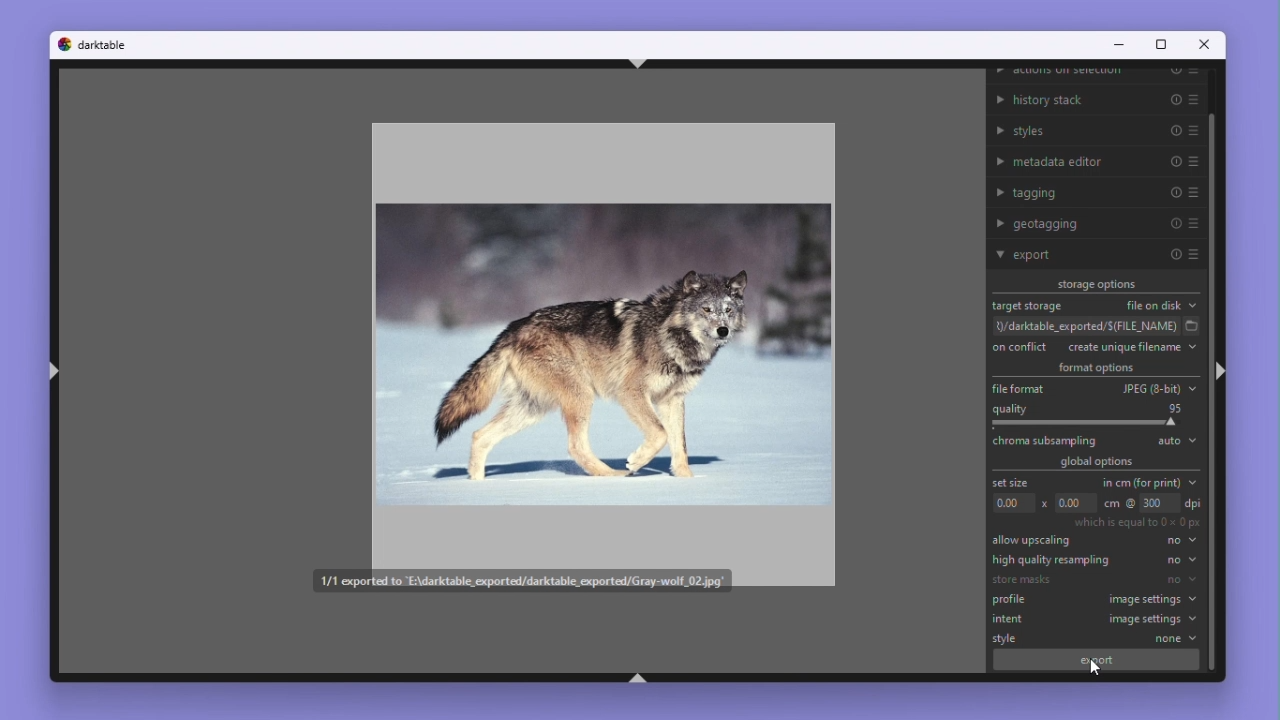 The width and height of the screenshot is (1280, 720). I want to click on image settings, so click(1153, 619).